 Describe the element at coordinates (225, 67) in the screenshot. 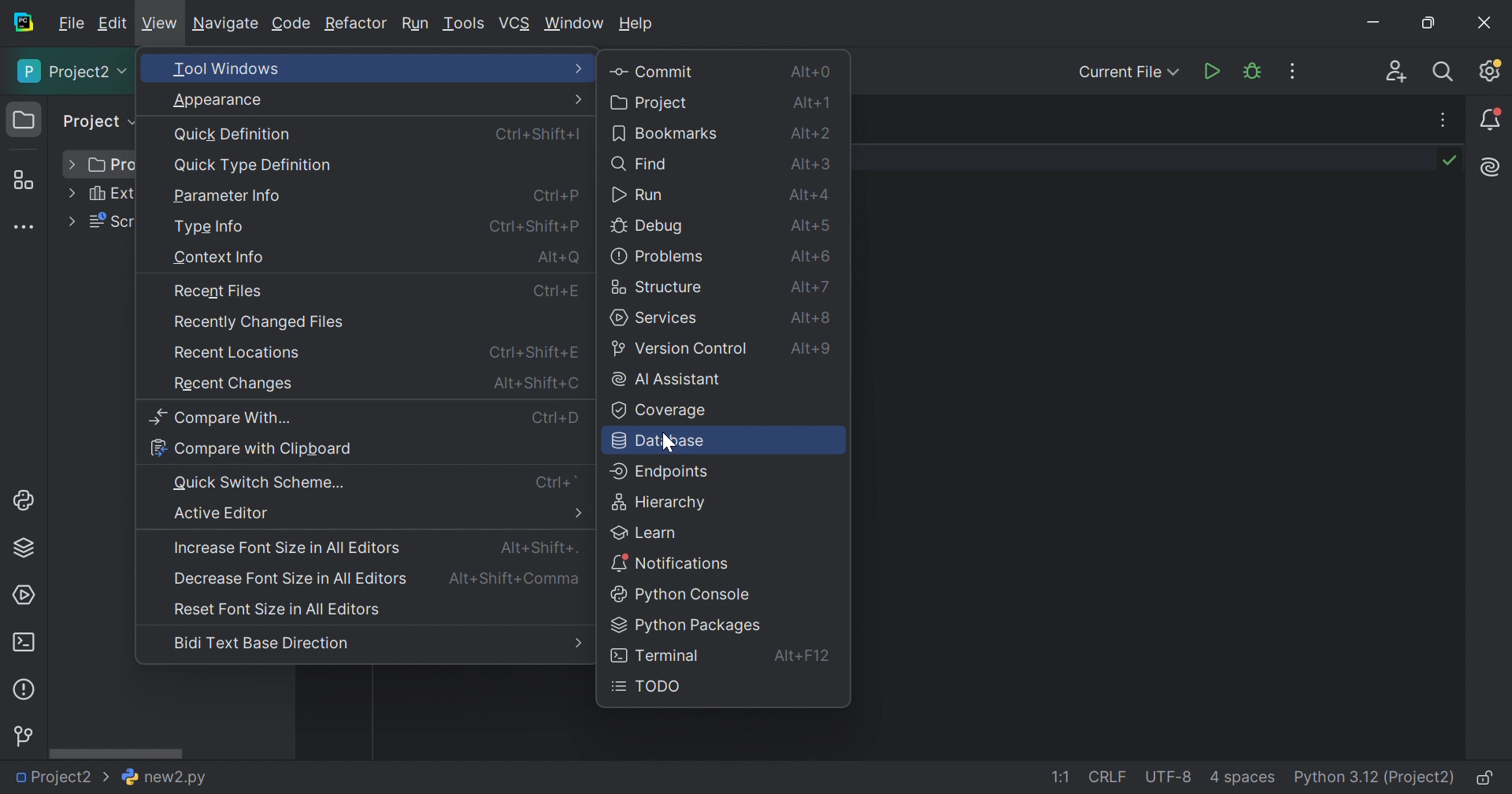

I see `Tool windows` at that location.